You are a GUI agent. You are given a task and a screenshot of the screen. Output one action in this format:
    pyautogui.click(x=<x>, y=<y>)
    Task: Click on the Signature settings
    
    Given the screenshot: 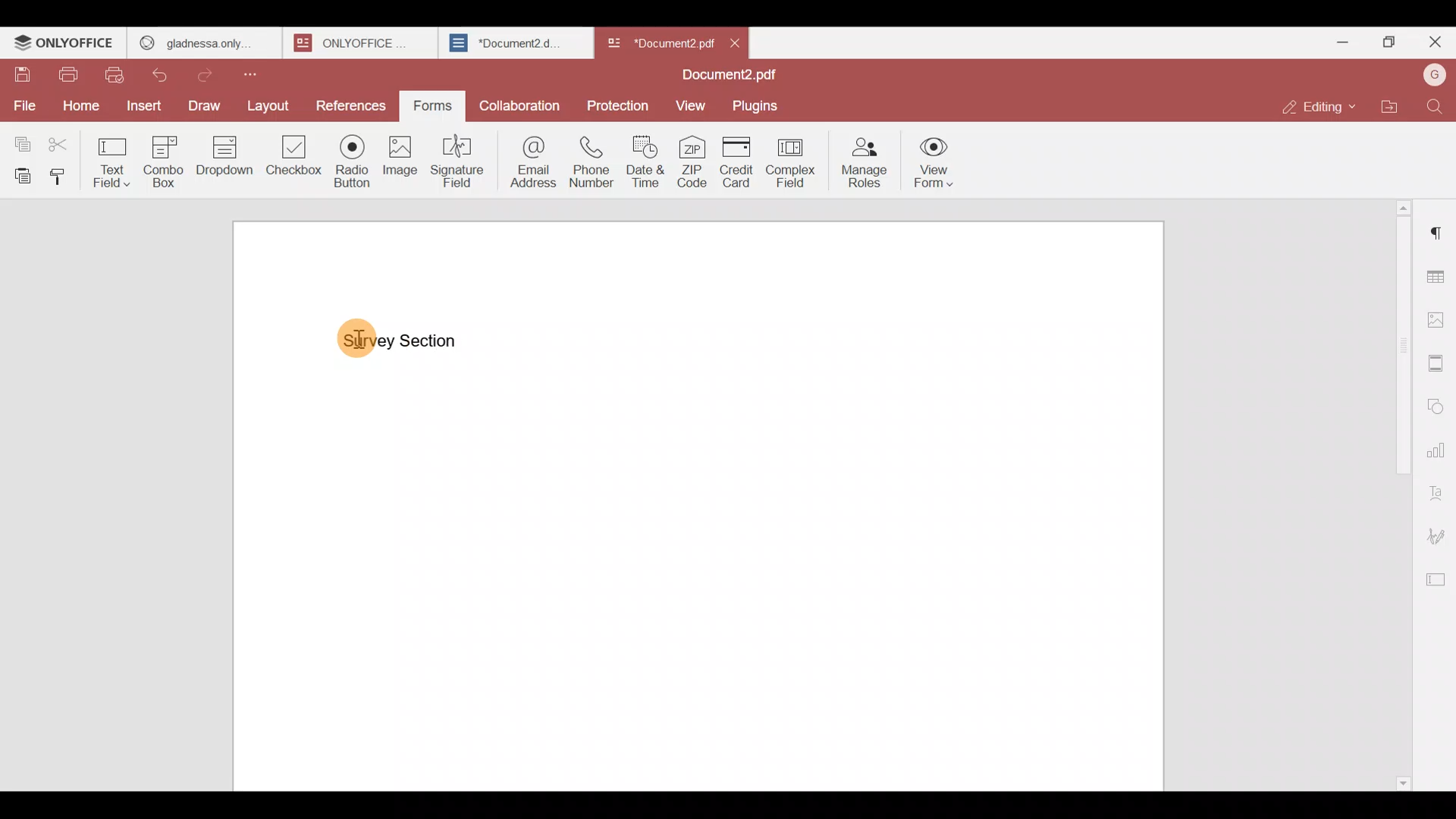 What is the action you would take?
    pyautogui.click(x=1438, y=536)
    